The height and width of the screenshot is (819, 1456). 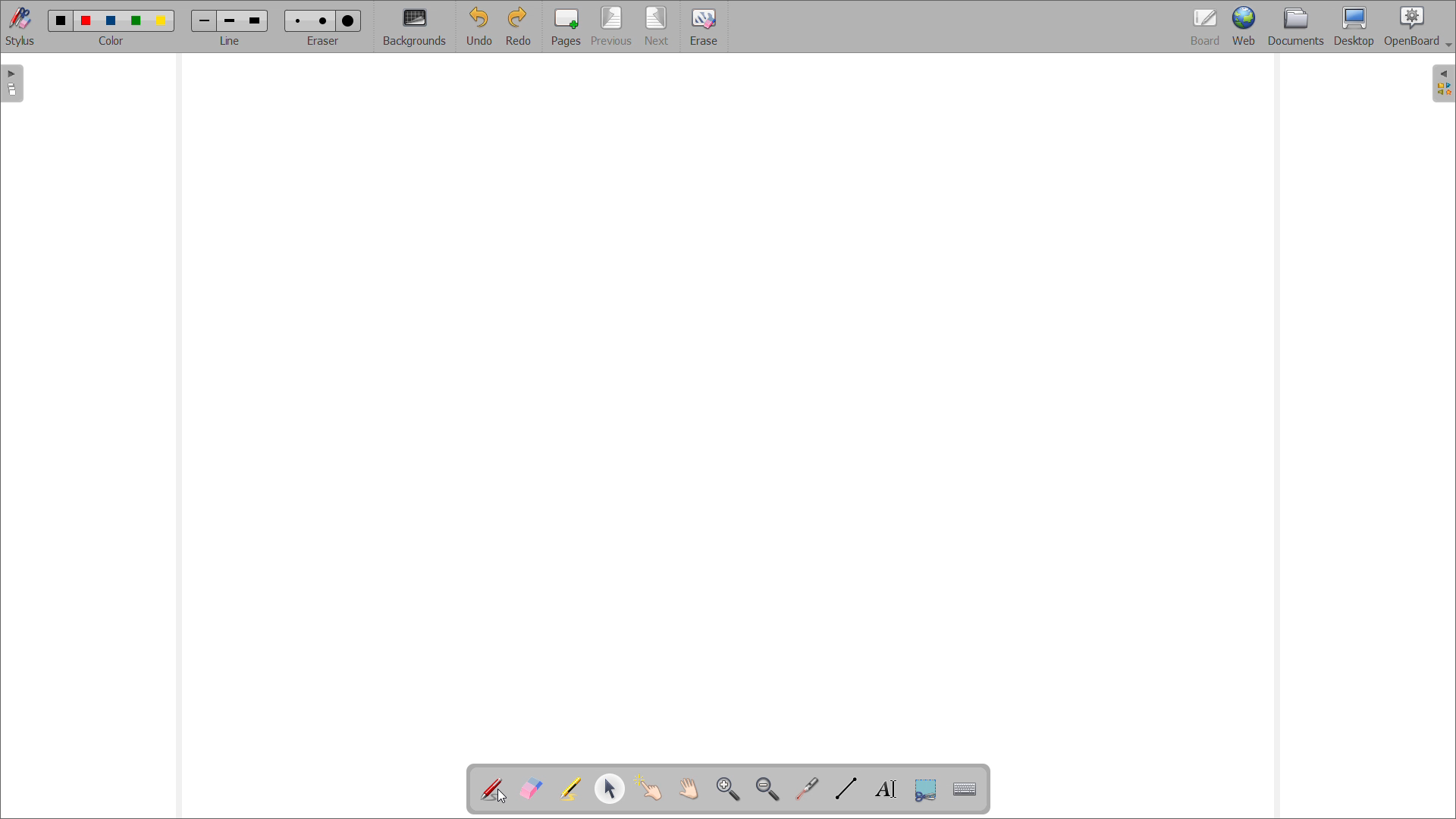 I want to click on virtual keyboard, so click(x=966, y=790).